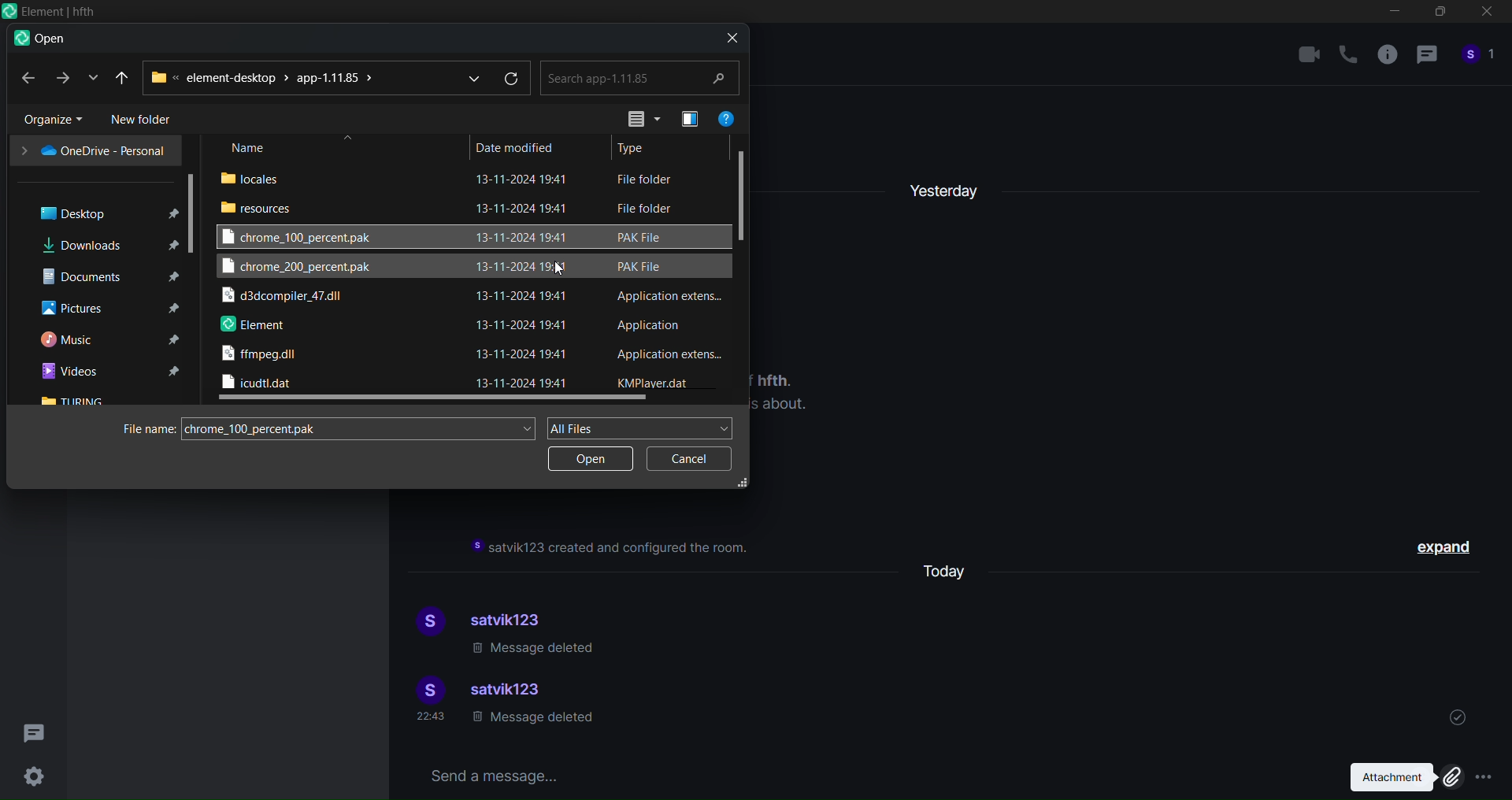 The image size is (1512, 800). I want to click on back, so click(26, 78).